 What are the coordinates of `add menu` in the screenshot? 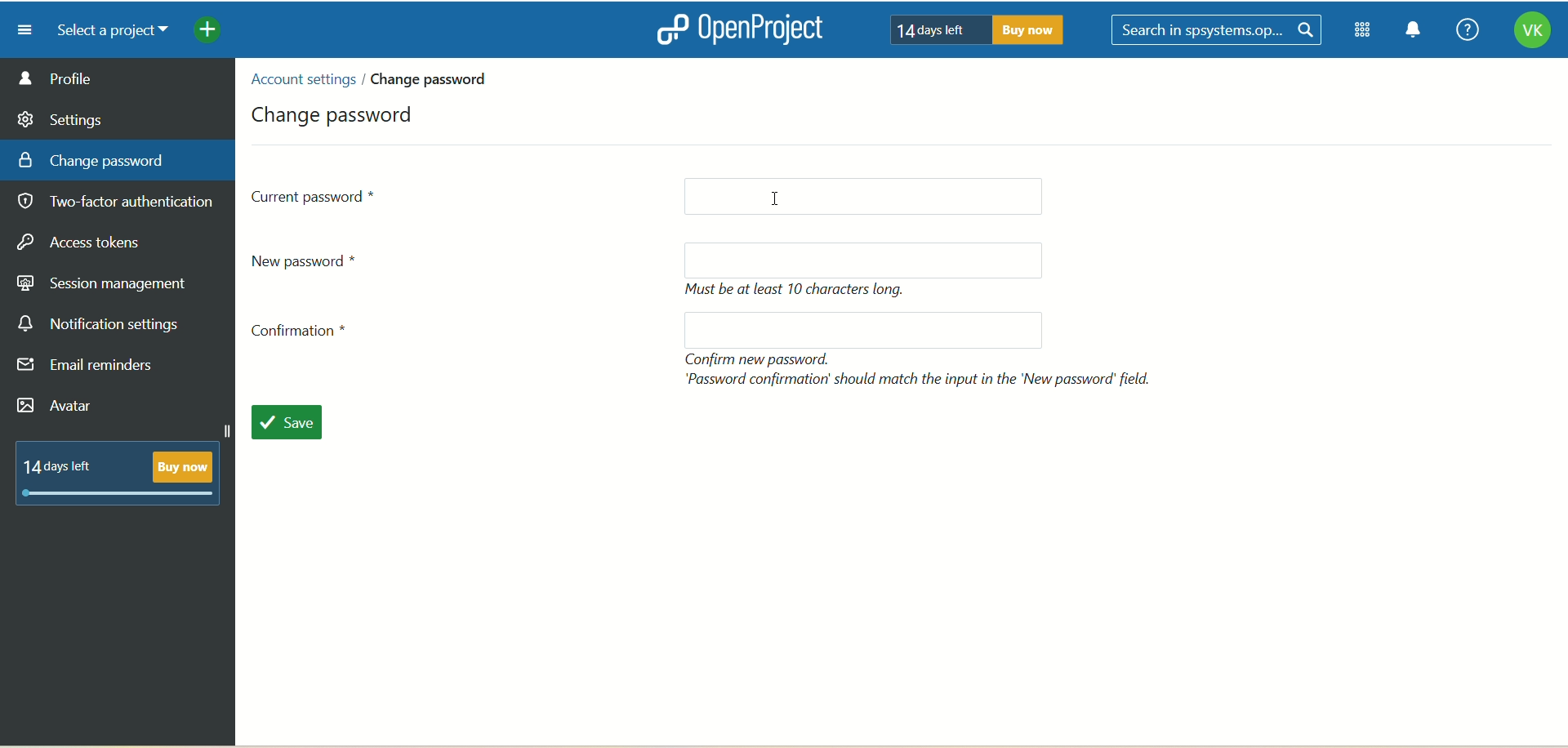 It's located at (209, 32).